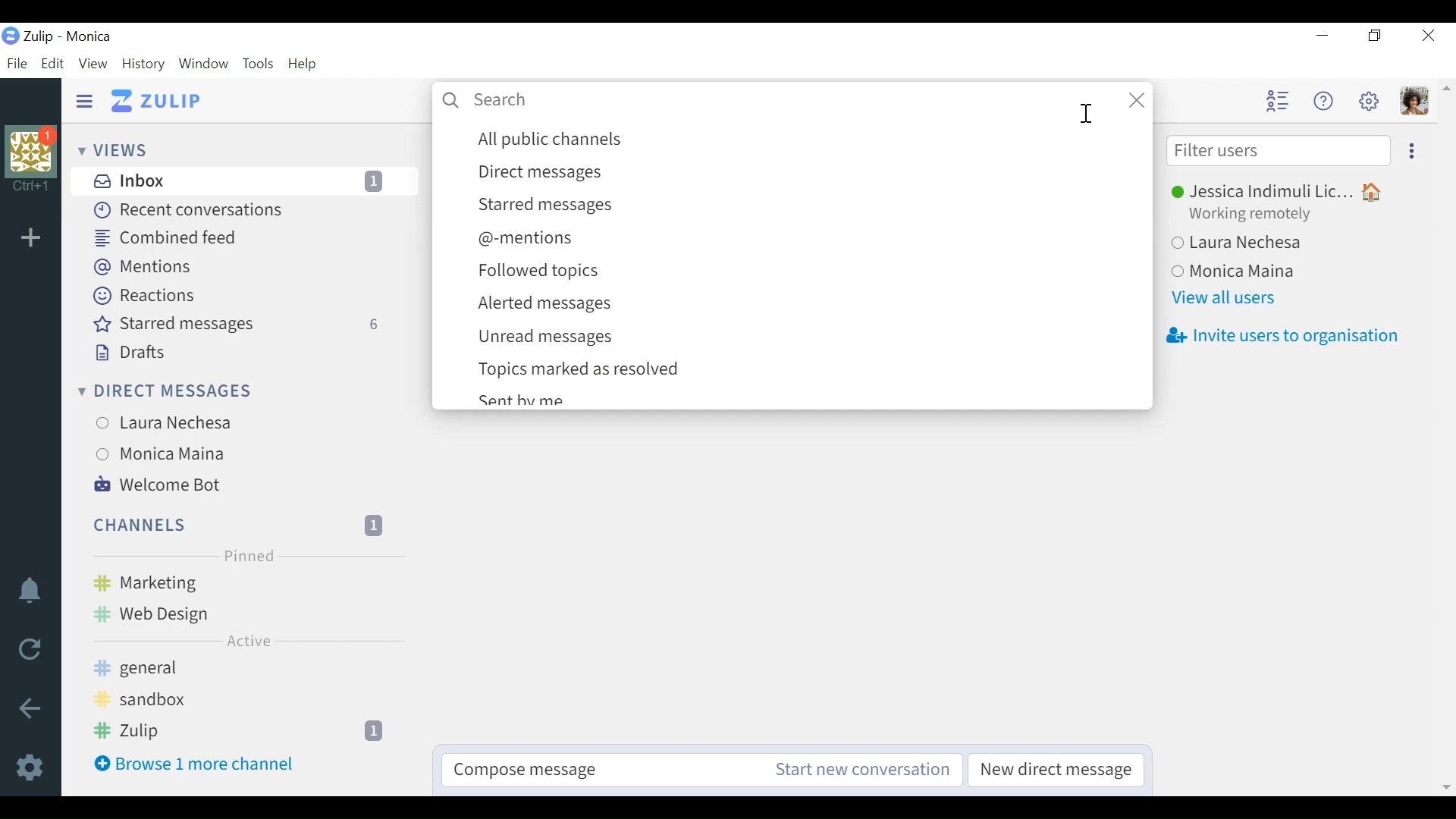 Image resolution: width=1456 pixels, height=819 pixels. I want to click on Insertion cursor, so click(1088, 115).